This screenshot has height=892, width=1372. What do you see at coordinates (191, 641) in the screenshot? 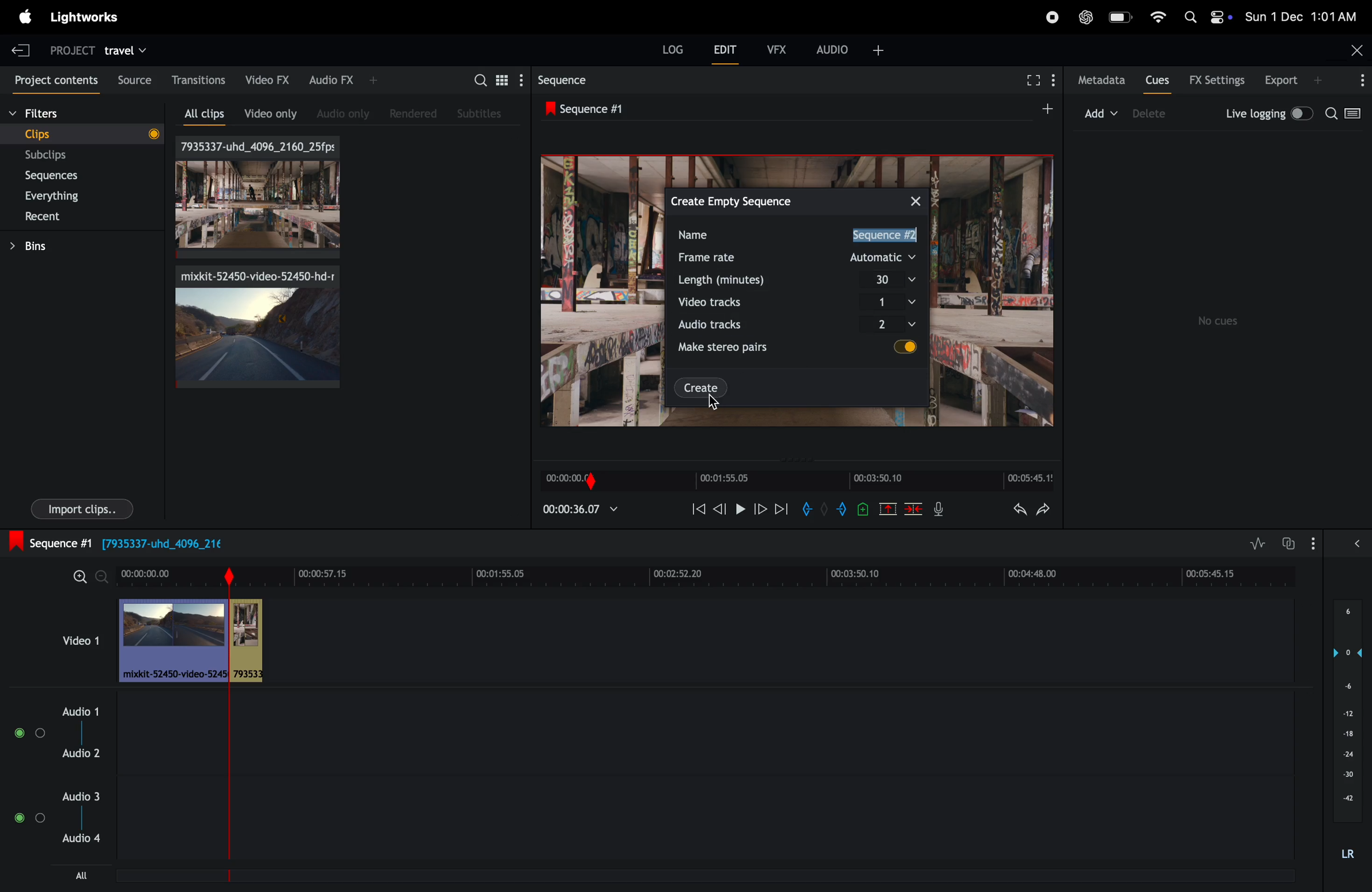
I see `video clips` at bounding box center [191, 641].